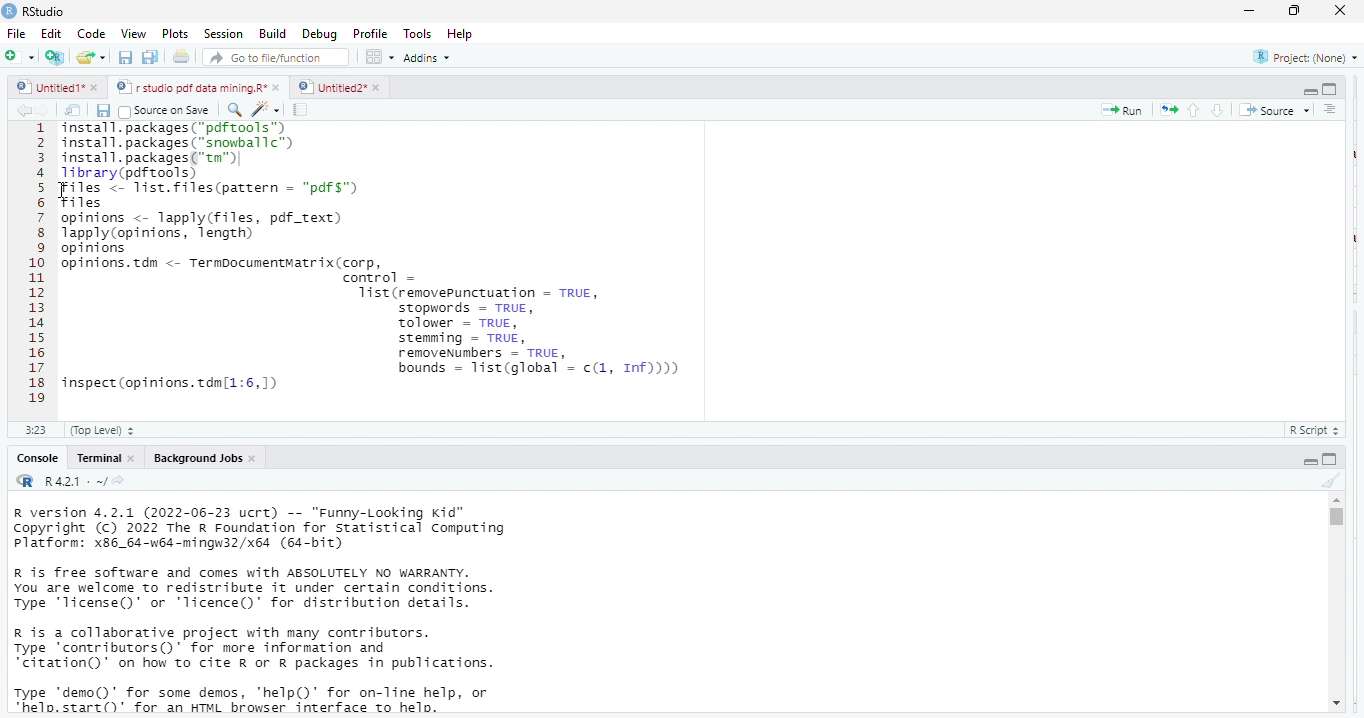  I want to click on edit, so click(51, 34).